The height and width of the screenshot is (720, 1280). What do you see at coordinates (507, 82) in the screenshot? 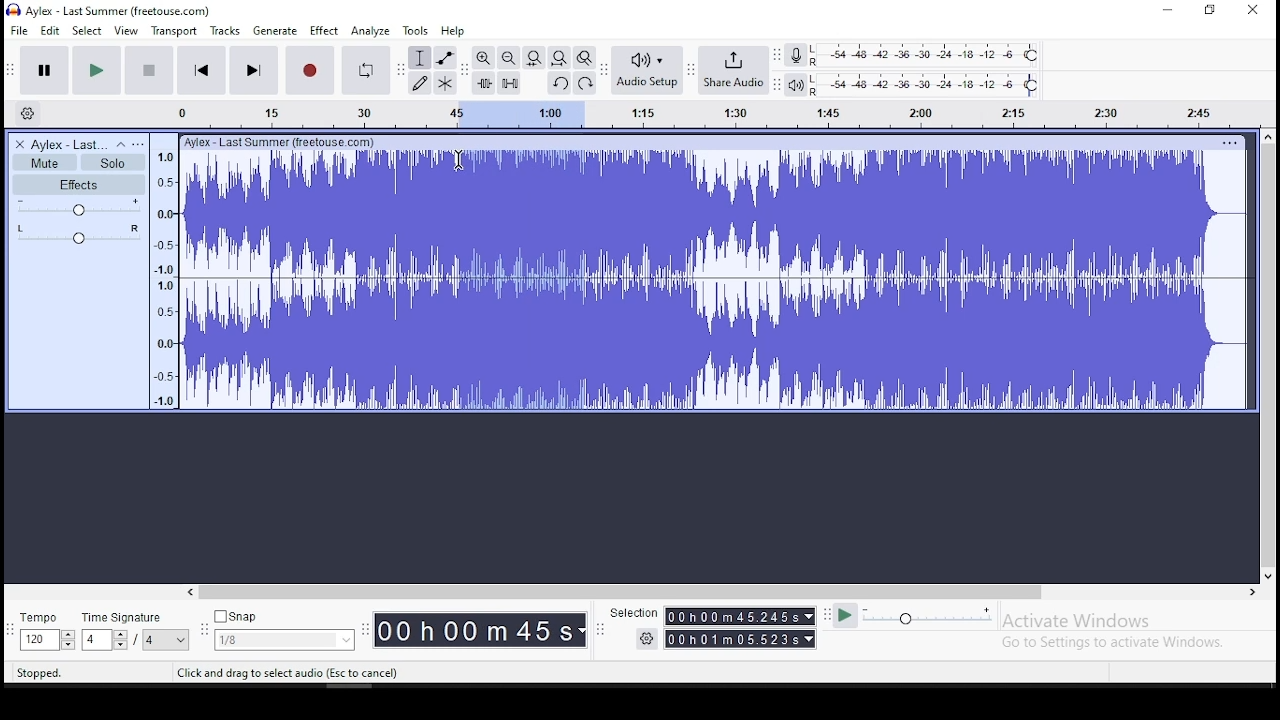
I see `silence audio signal` at bounding box center [507, 82].